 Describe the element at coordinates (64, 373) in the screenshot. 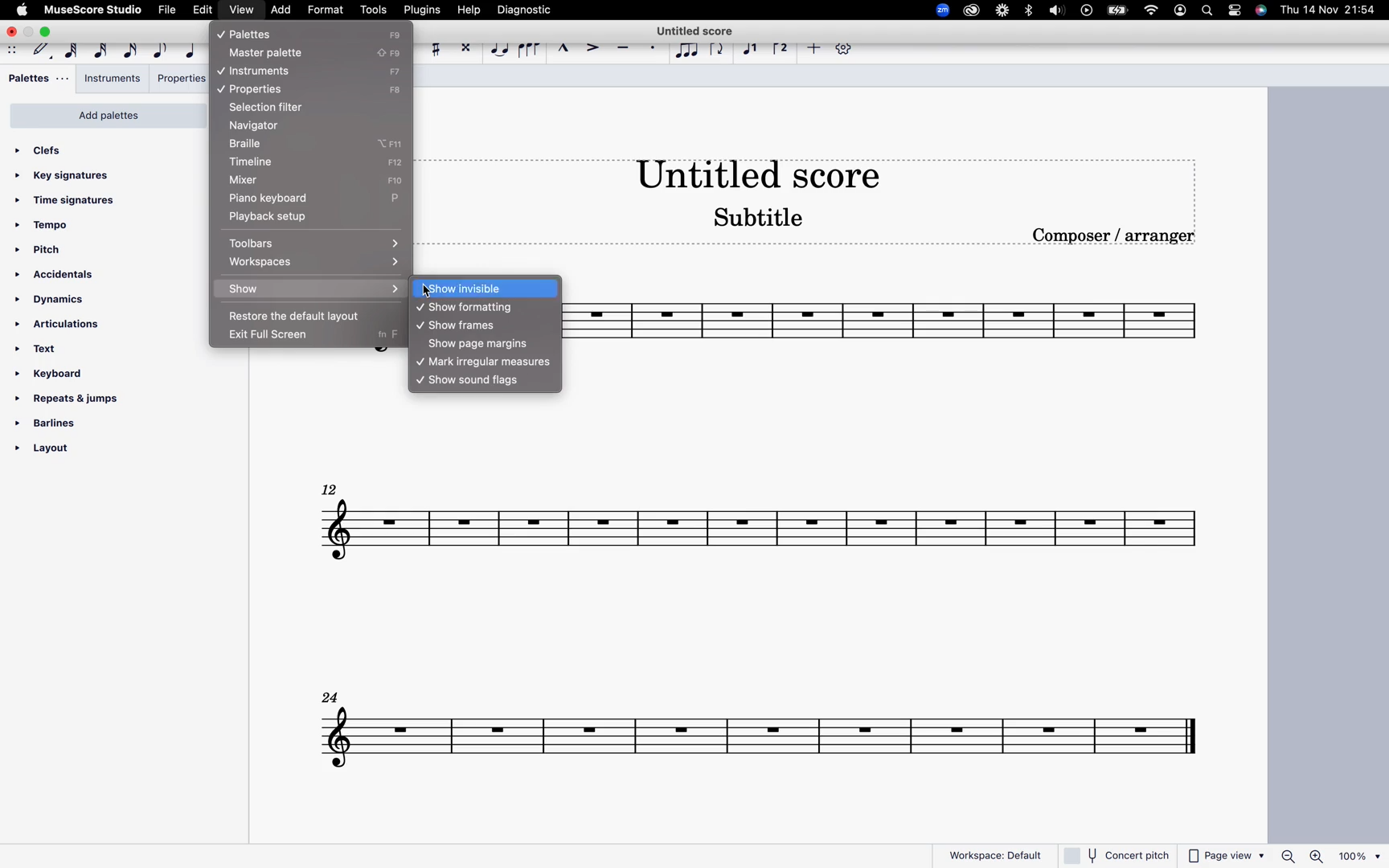

I see `keyboard` at that location.